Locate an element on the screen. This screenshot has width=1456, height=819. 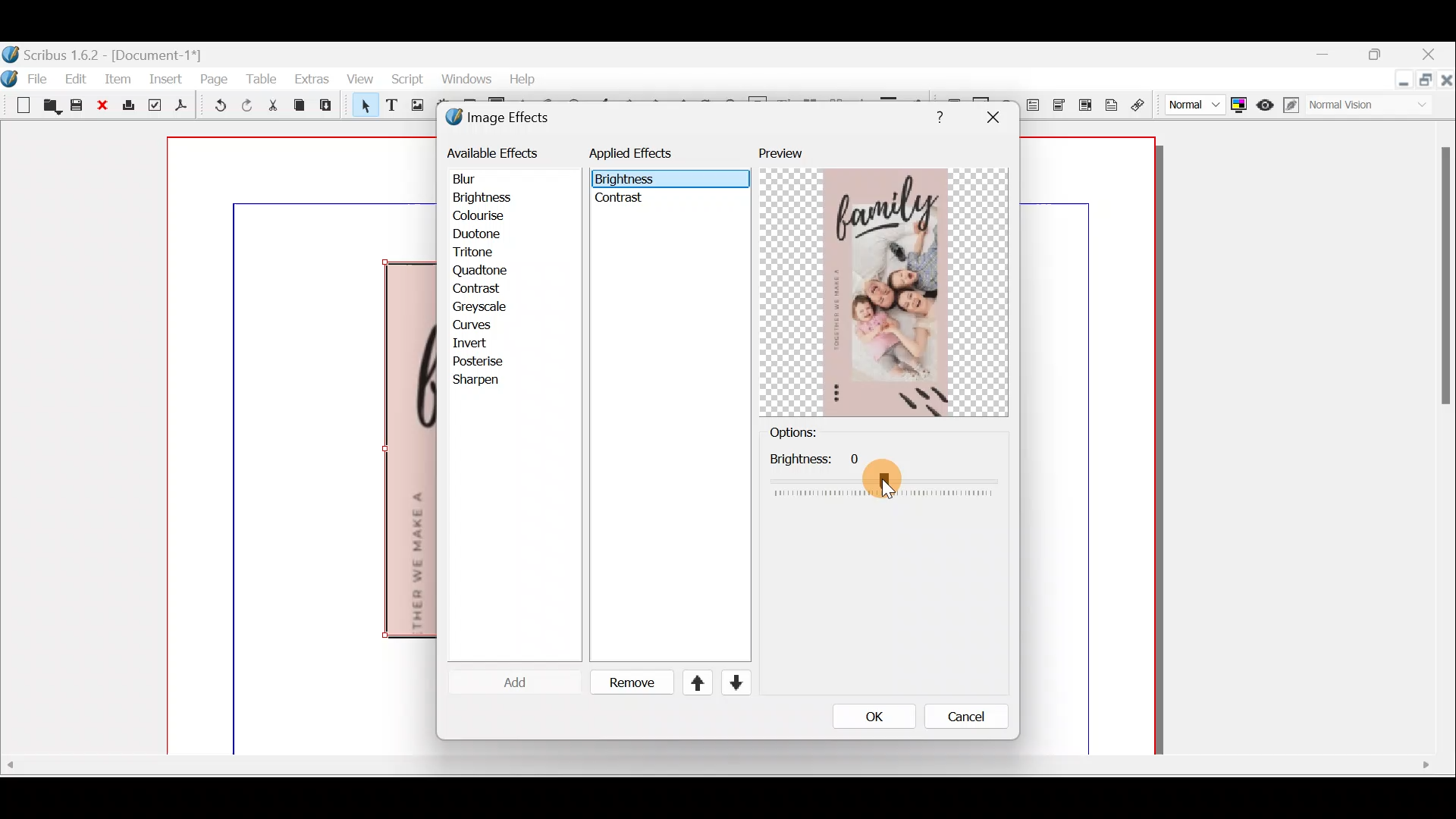
Undo is located at coordinates (215, 108).